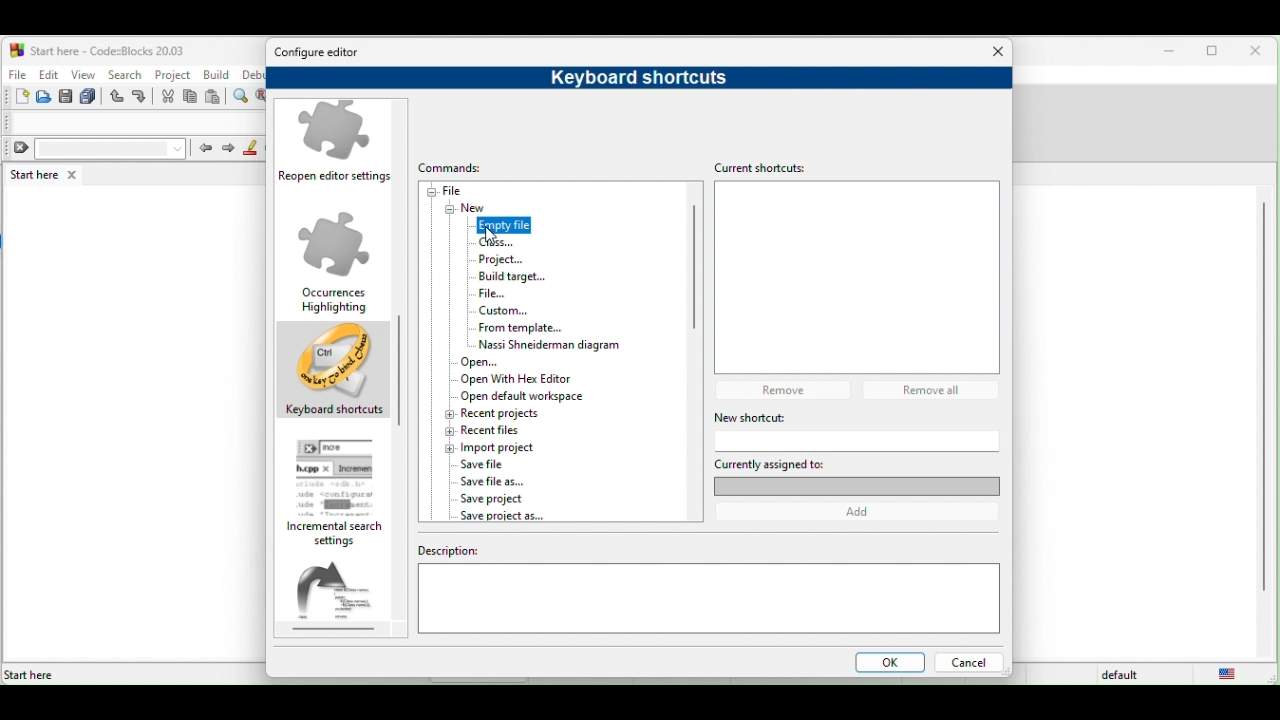 Image resolution: width=1280 pixels, height=720 pixels. What do you see at coordinates (936, 390) in the screenshot?
I see `remove all` at bounding box center [936, 390].